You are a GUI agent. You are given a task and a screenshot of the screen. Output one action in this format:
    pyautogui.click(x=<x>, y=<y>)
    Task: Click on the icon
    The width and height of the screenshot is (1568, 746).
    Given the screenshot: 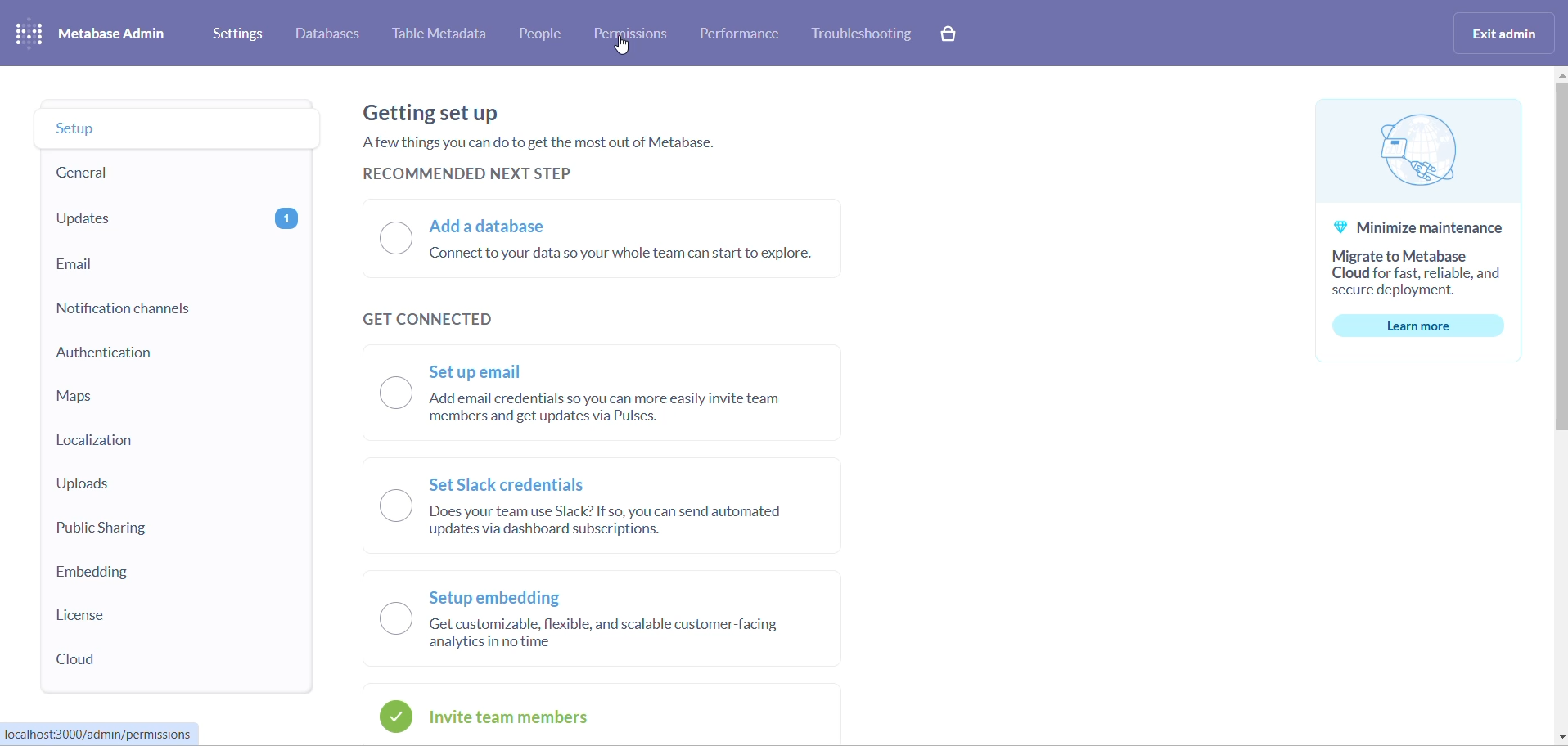 What is the action you would take?
    pyautogui.click(x=395, y=715)
    